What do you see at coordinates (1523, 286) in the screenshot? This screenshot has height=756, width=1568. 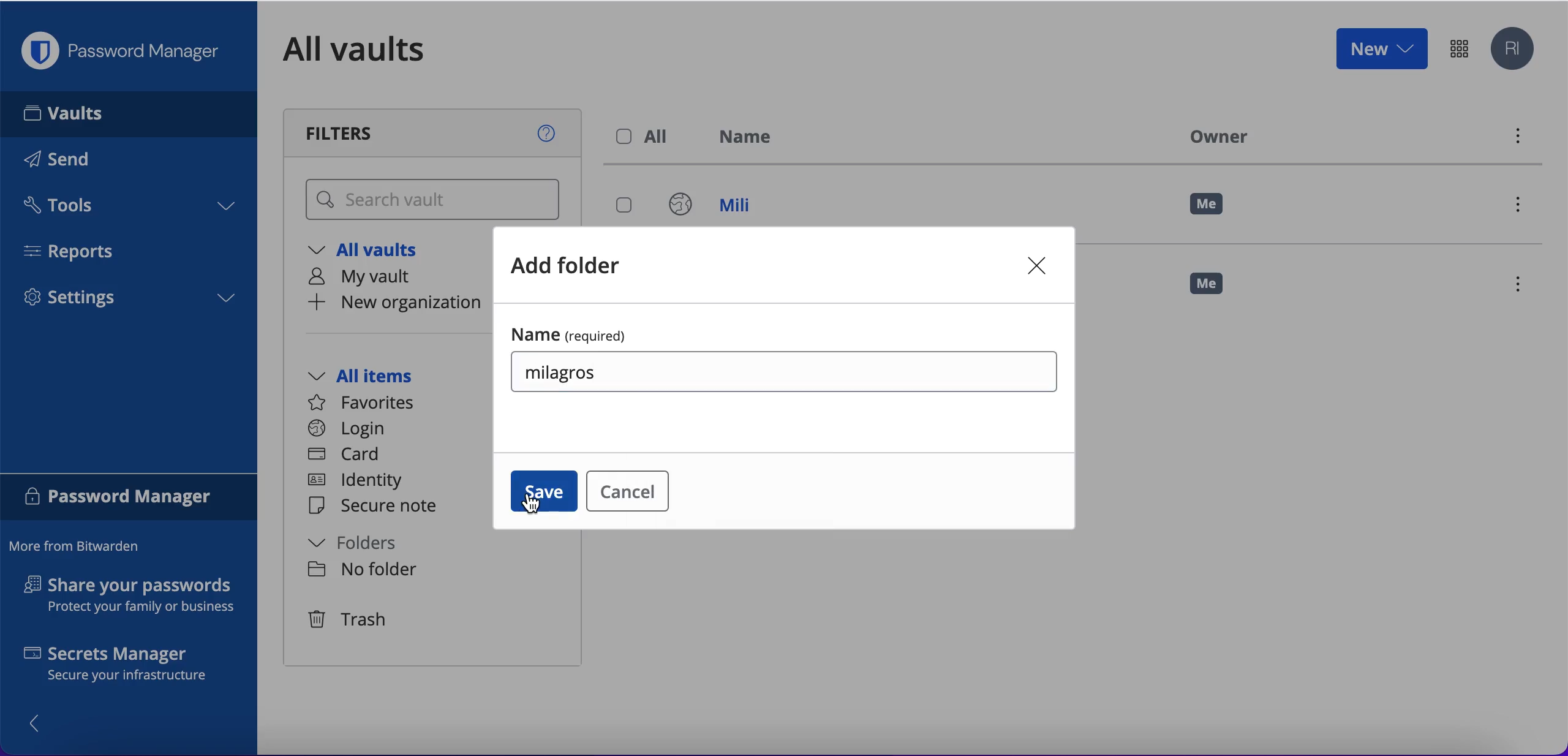 I see `menu` at bounding box center [1523, 286].